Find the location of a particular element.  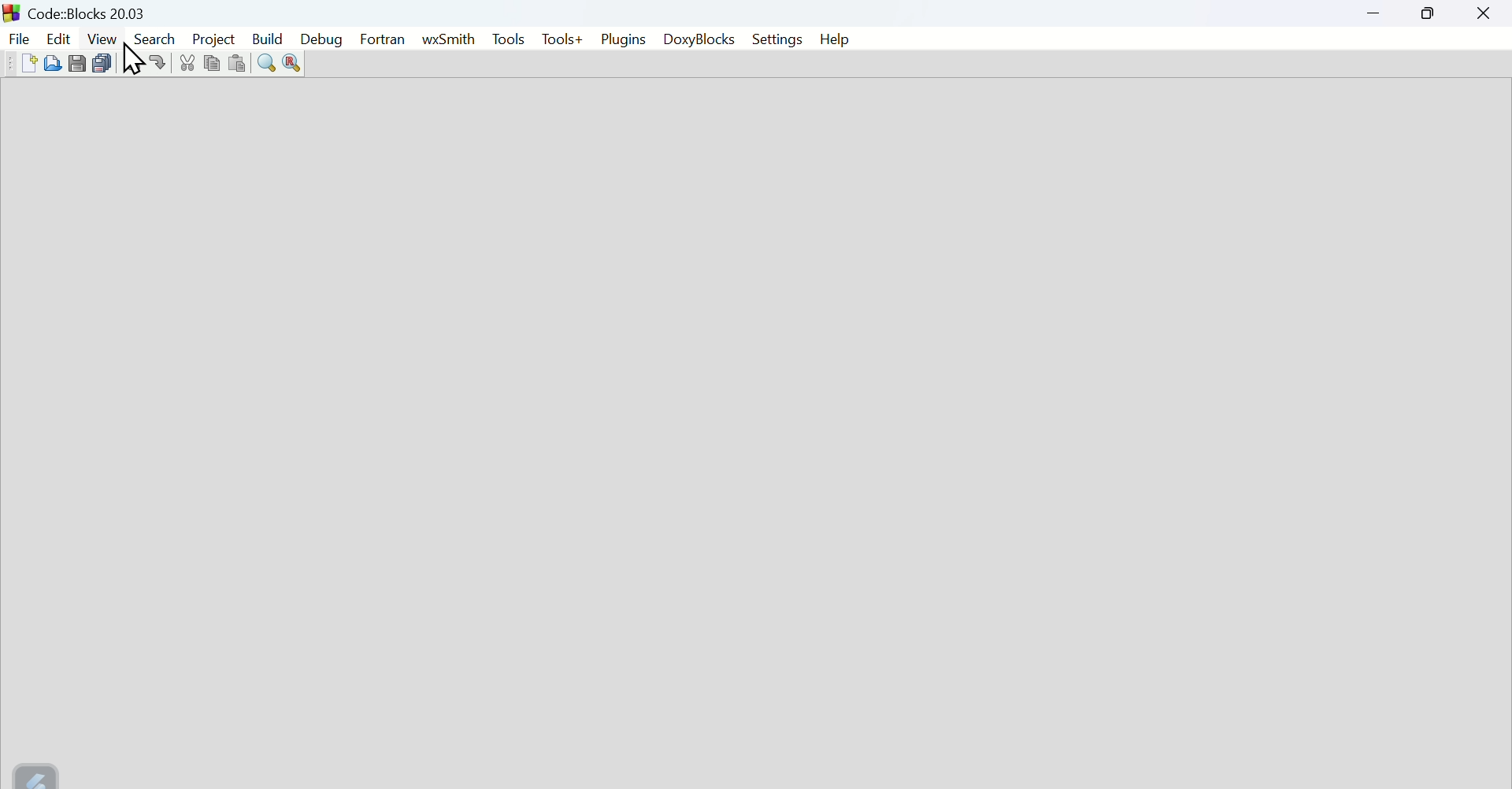

Search is located at coordinates (157, 39).